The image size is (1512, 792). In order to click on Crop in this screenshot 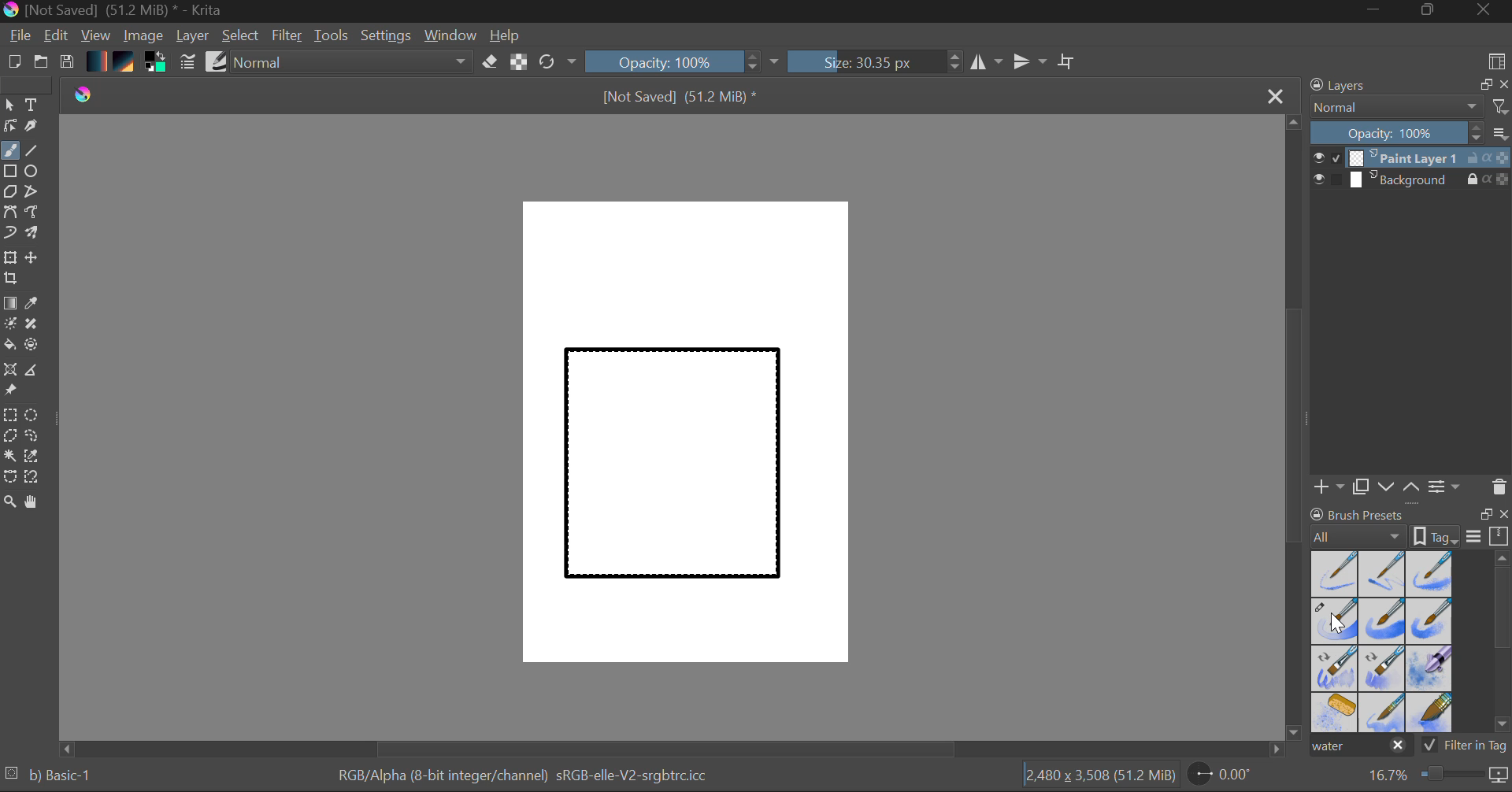, I will do `click(1069, 61)`.